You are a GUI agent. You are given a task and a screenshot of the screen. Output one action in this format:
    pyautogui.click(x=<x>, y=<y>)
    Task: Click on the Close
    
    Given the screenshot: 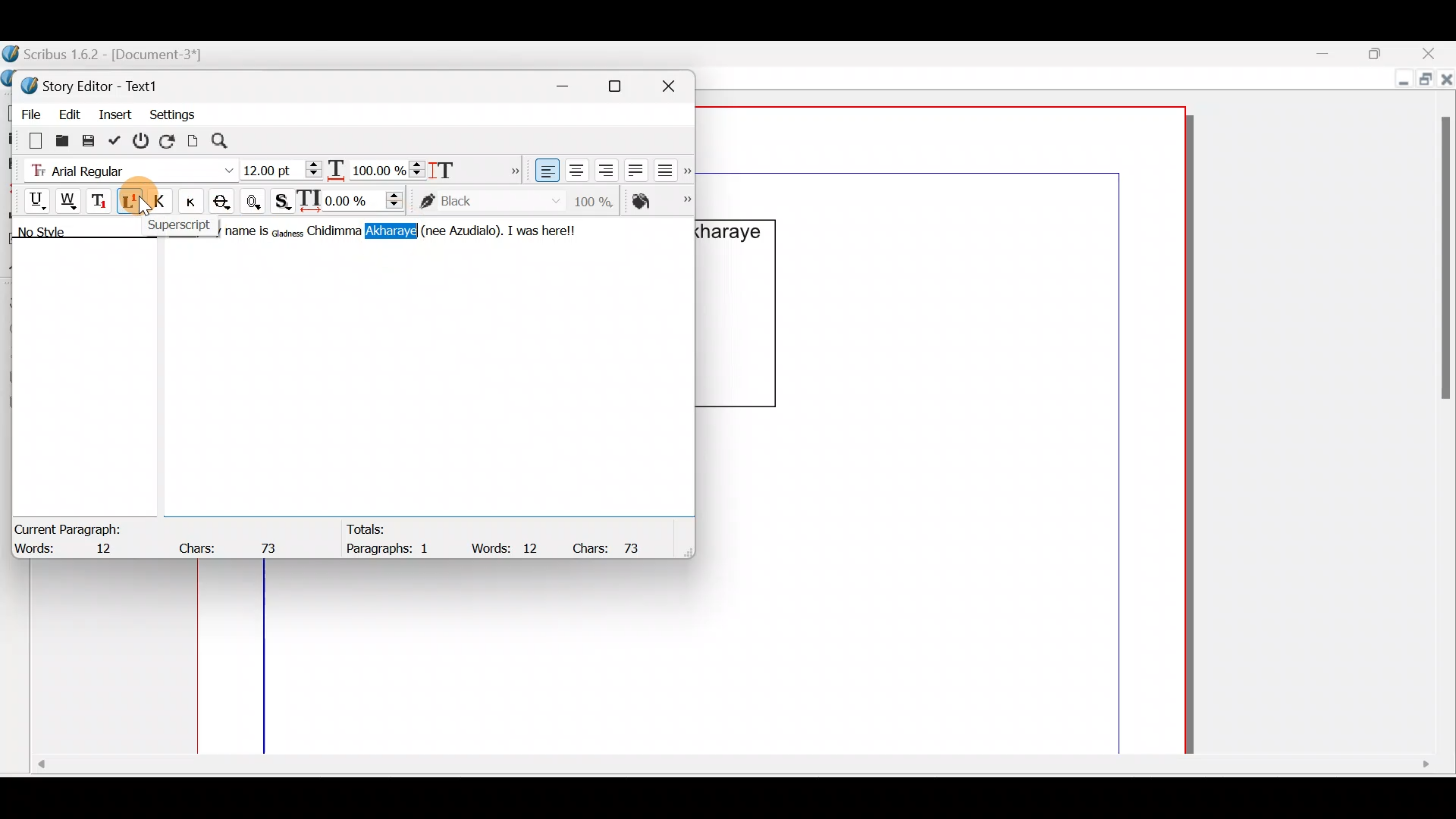 What is the action you would take?
    pyautogui.click(x=1447, y=83)
    